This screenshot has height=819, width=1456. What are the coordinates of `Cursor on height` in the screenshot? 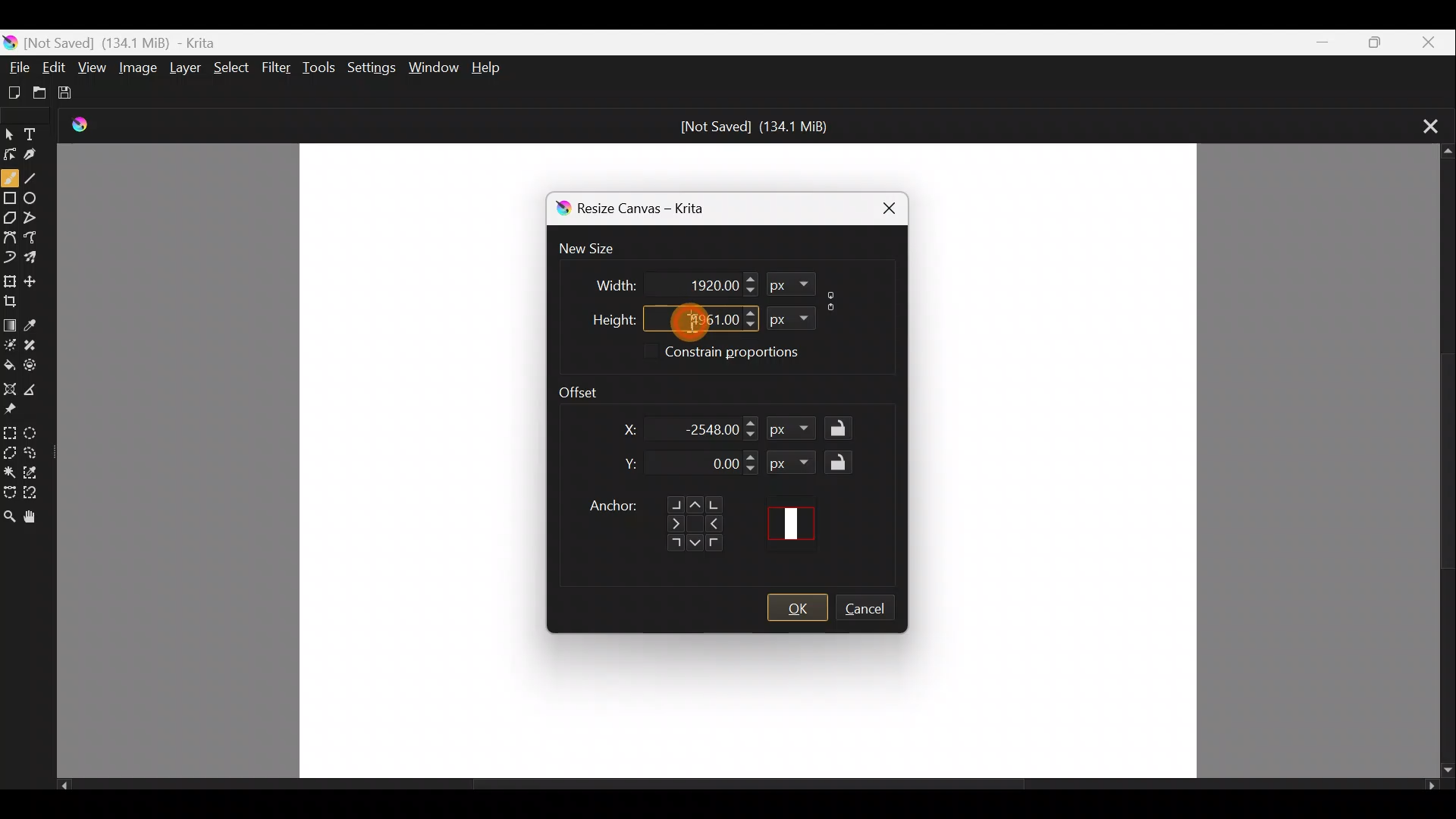 It's located at (681, 322).